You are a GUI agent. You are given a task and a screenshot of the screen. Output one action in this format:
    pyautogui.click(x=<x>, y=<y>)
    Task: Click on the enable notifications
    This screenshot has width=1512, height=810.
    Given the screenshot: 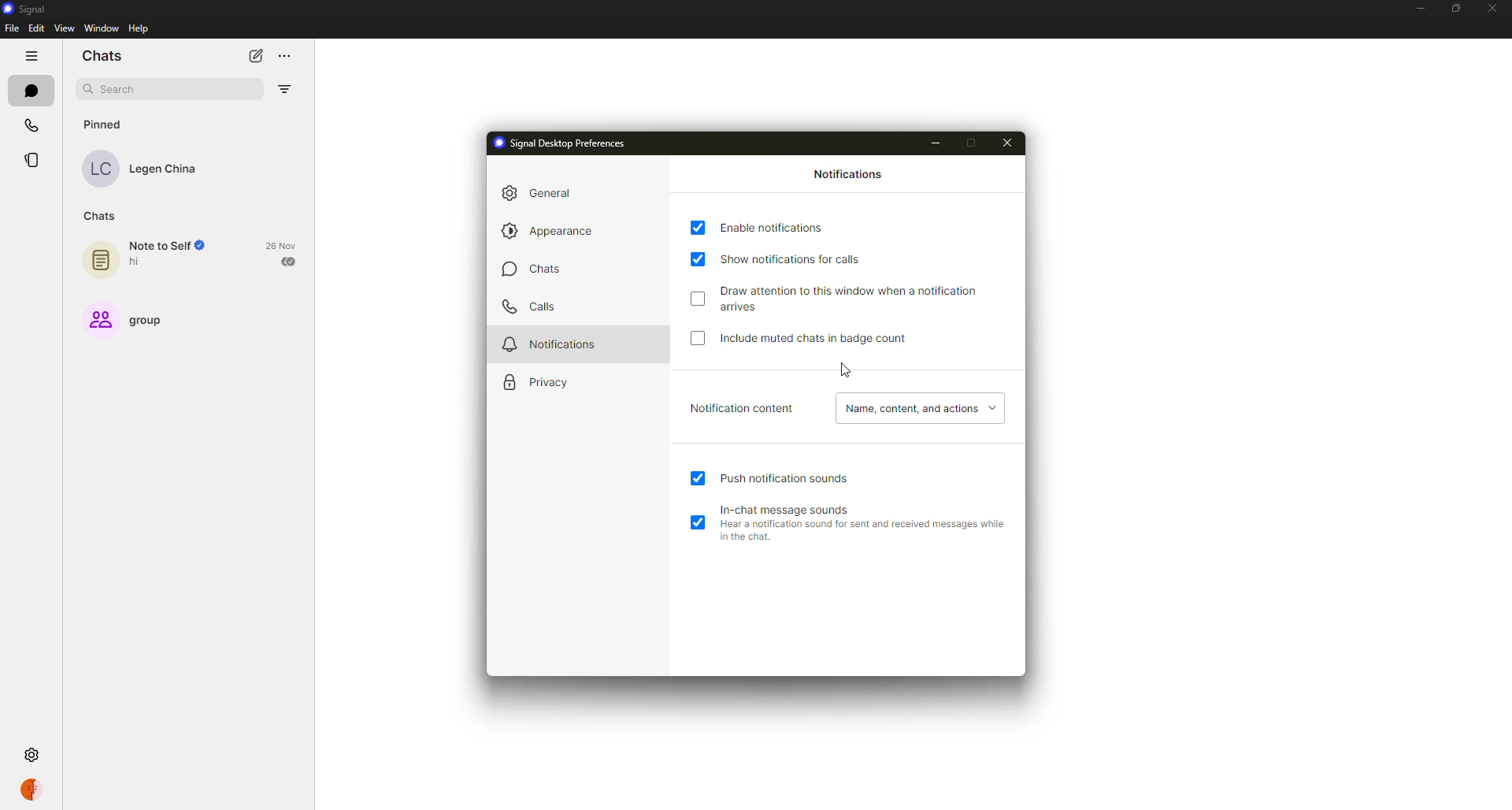 What is the action you would take?
    pyautogui.click(x=771, y=229)
    